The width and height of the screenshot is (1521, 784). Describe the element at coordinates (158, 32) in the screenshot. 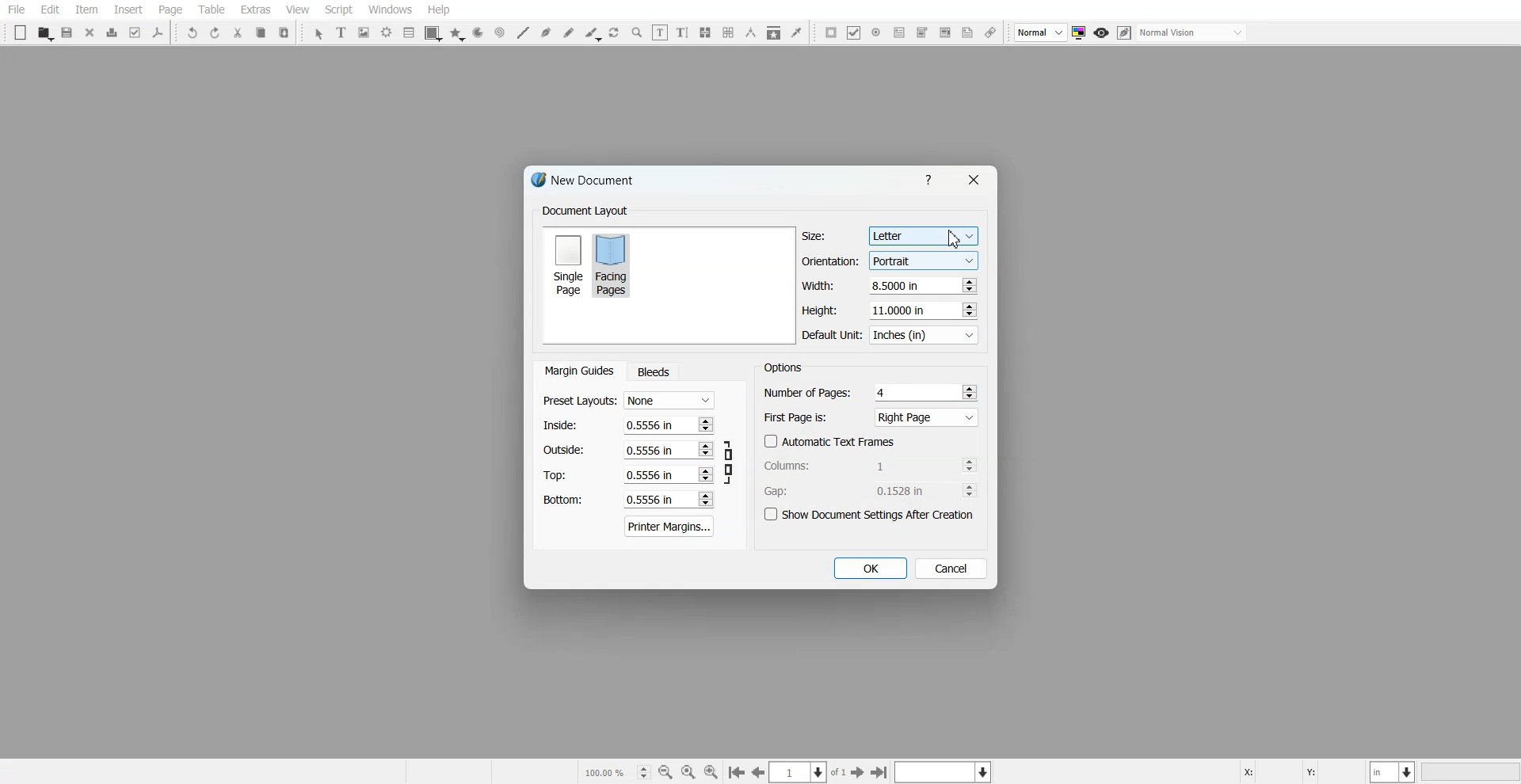

I see `Save as PDF` at that location.